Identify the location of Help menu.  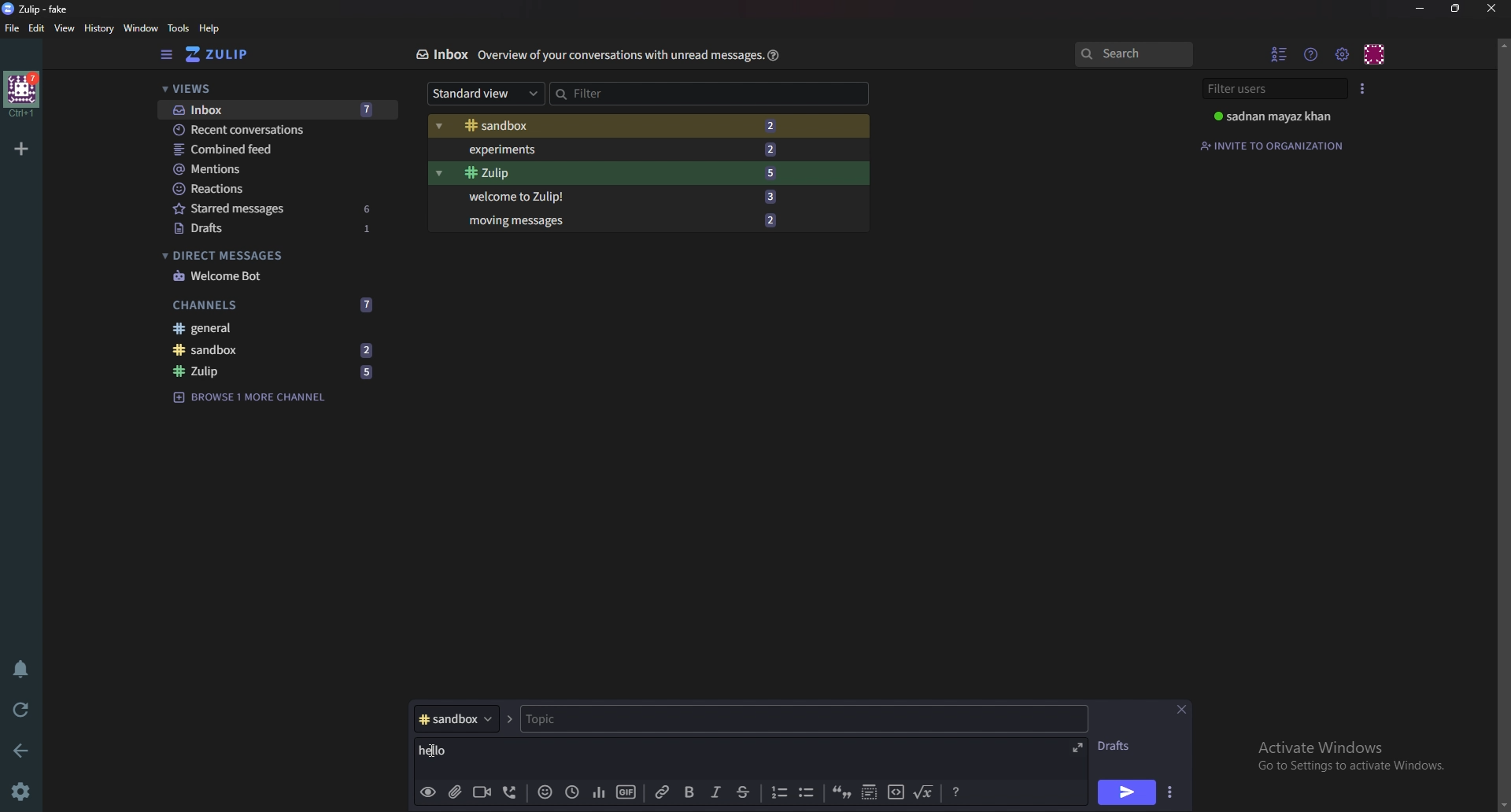
(1312, 54).